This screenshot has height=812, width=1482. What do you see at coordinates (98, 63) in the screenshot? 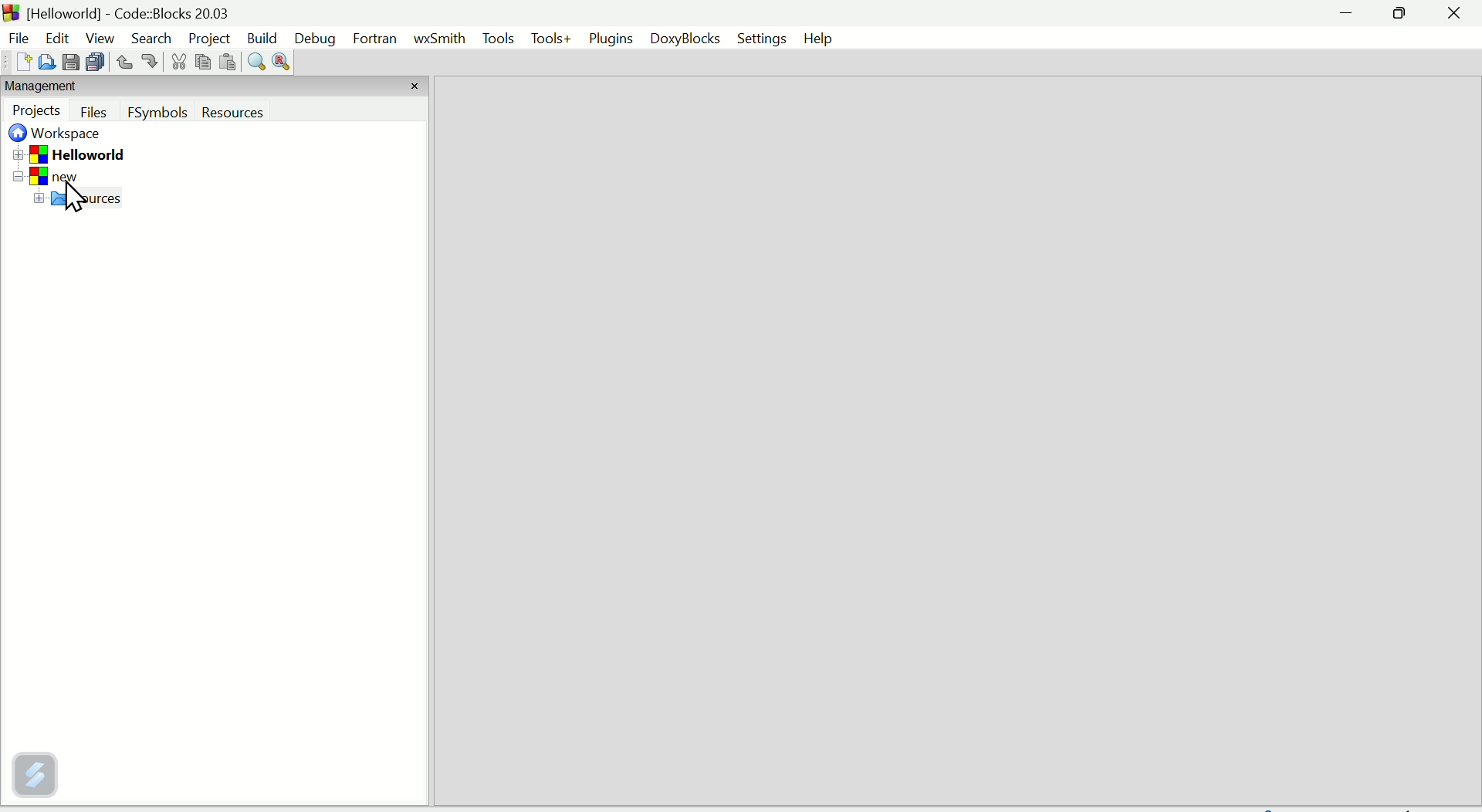
I see `Save all` at bounding box center [98, 63].